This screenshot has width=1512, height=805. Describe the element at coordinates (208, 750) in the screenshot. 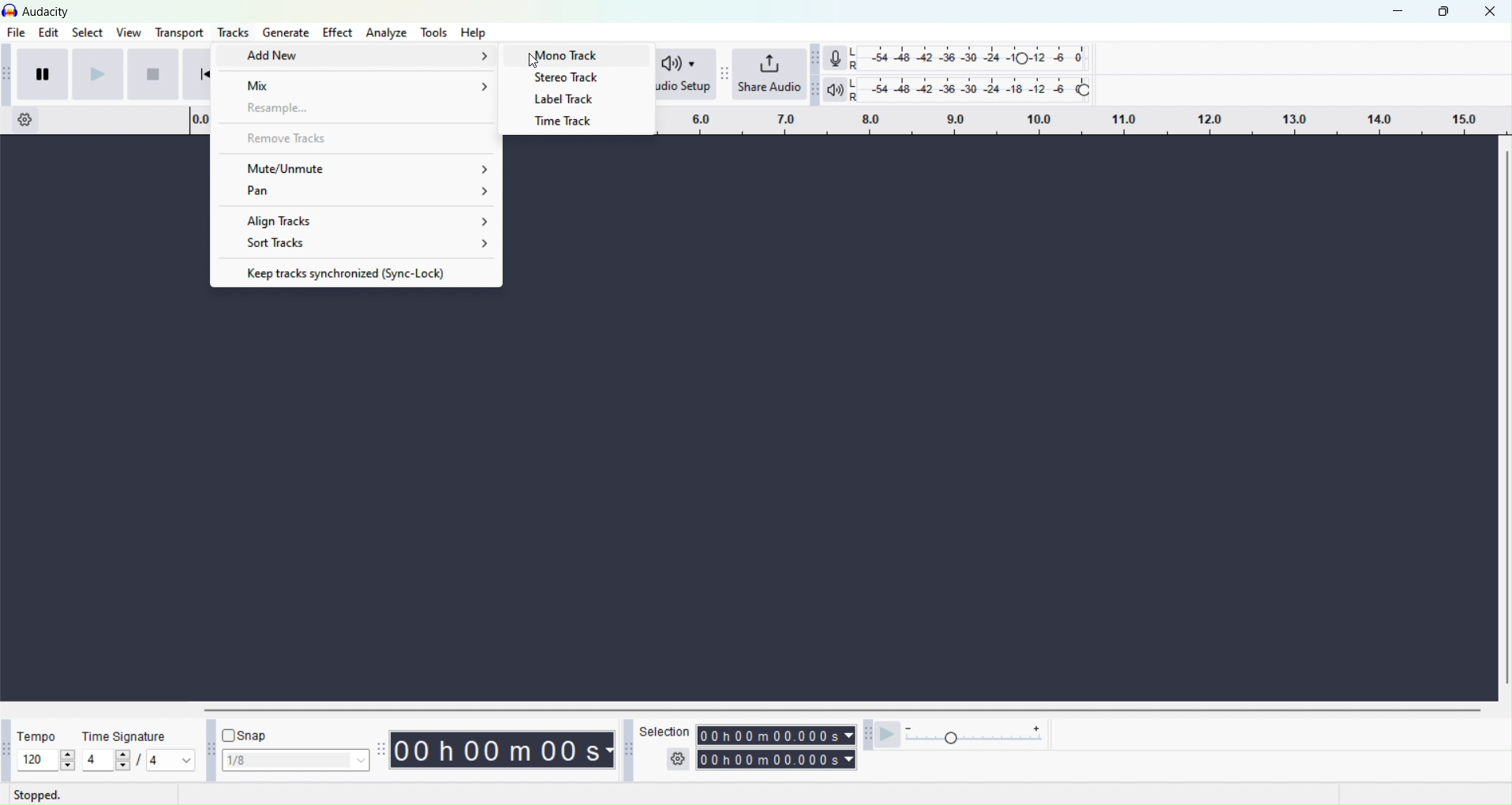

I see `Audacity snapping tool` at that location.